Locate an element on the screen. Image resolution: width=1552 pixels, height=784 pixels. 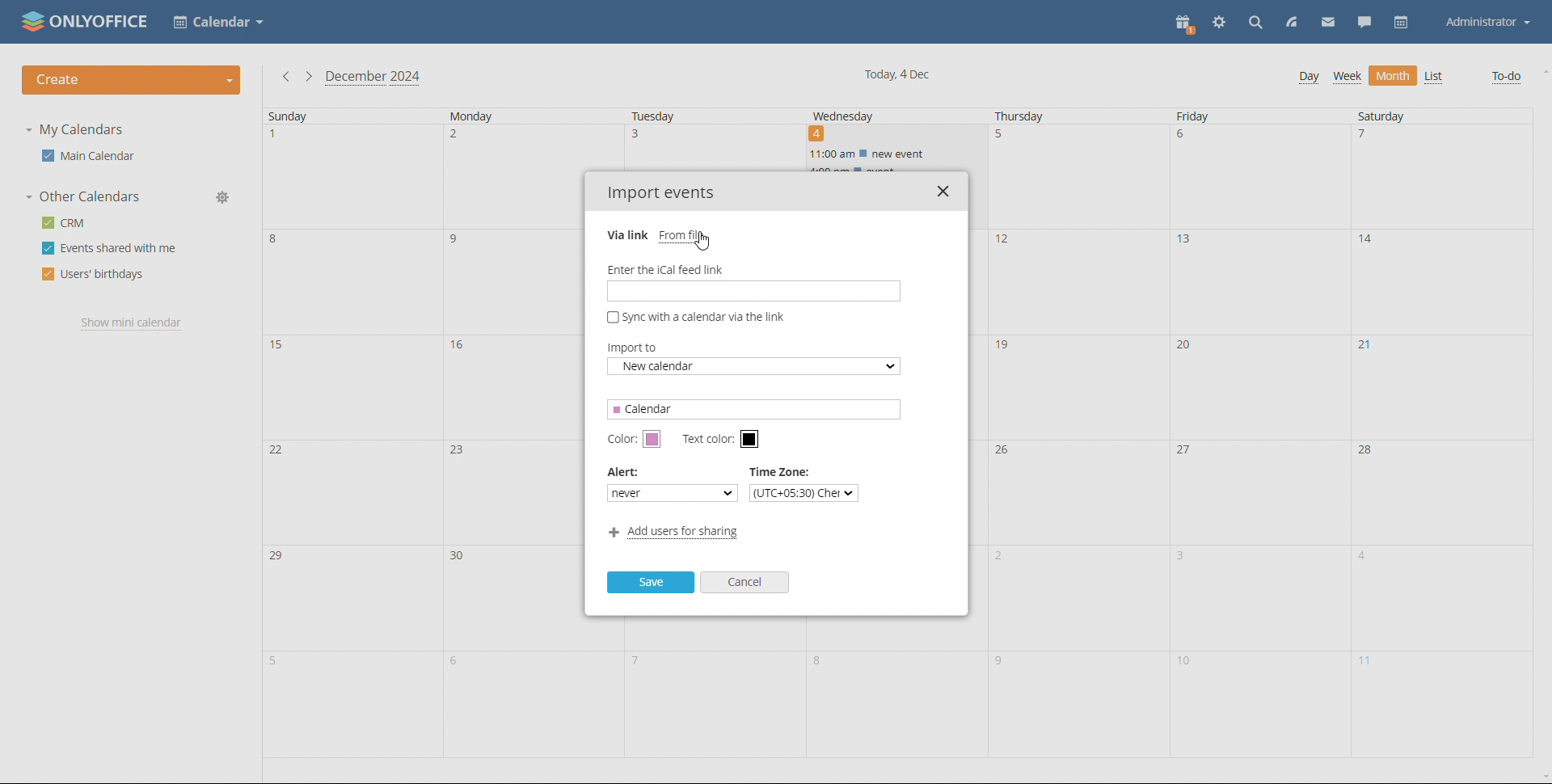
alert: is located at coordinates (624, 471).